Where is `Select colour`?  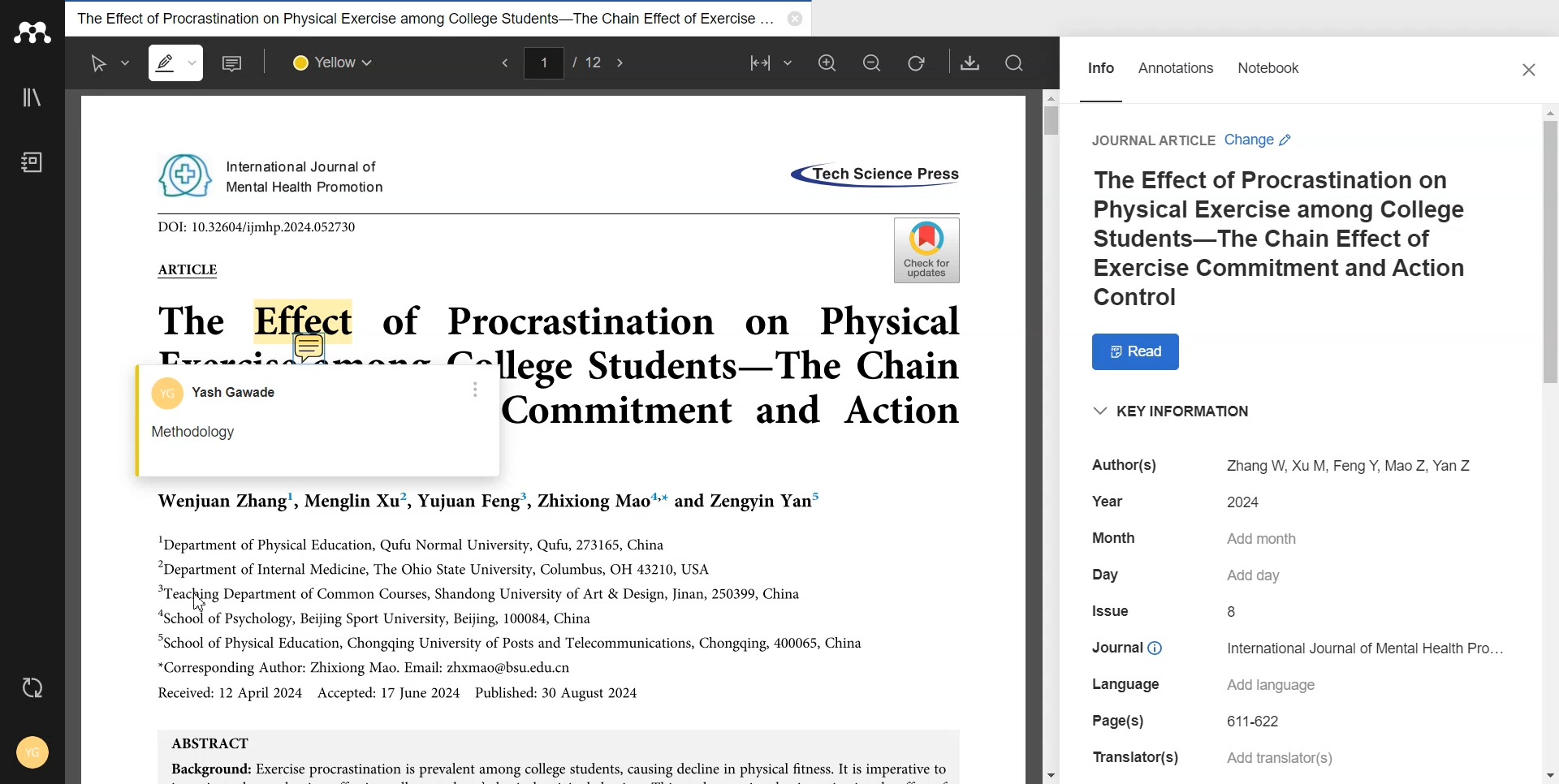 Select colour is located at coordinates (336, 64).